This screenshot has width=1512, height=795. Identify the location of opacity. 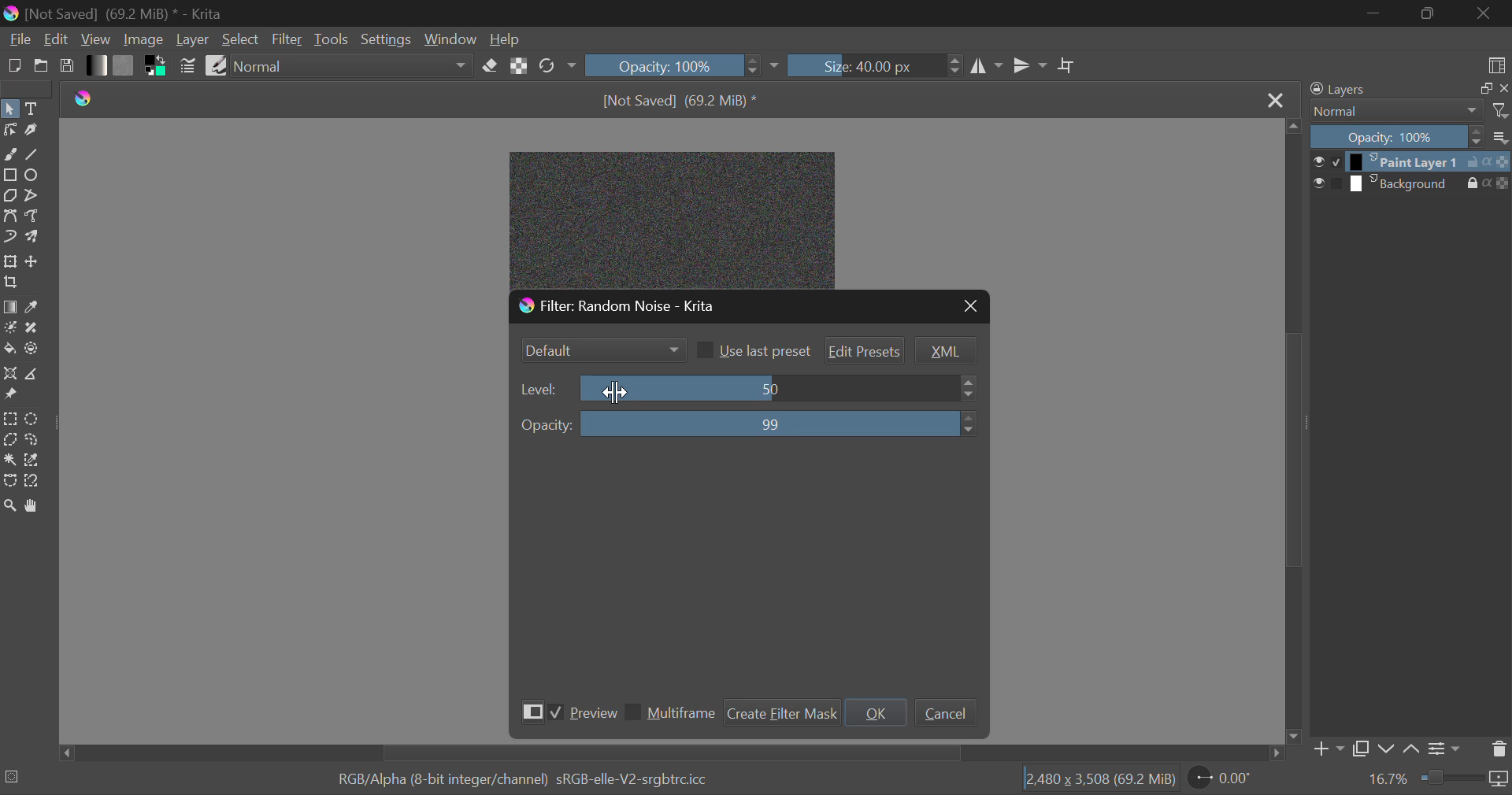
(546, 425).